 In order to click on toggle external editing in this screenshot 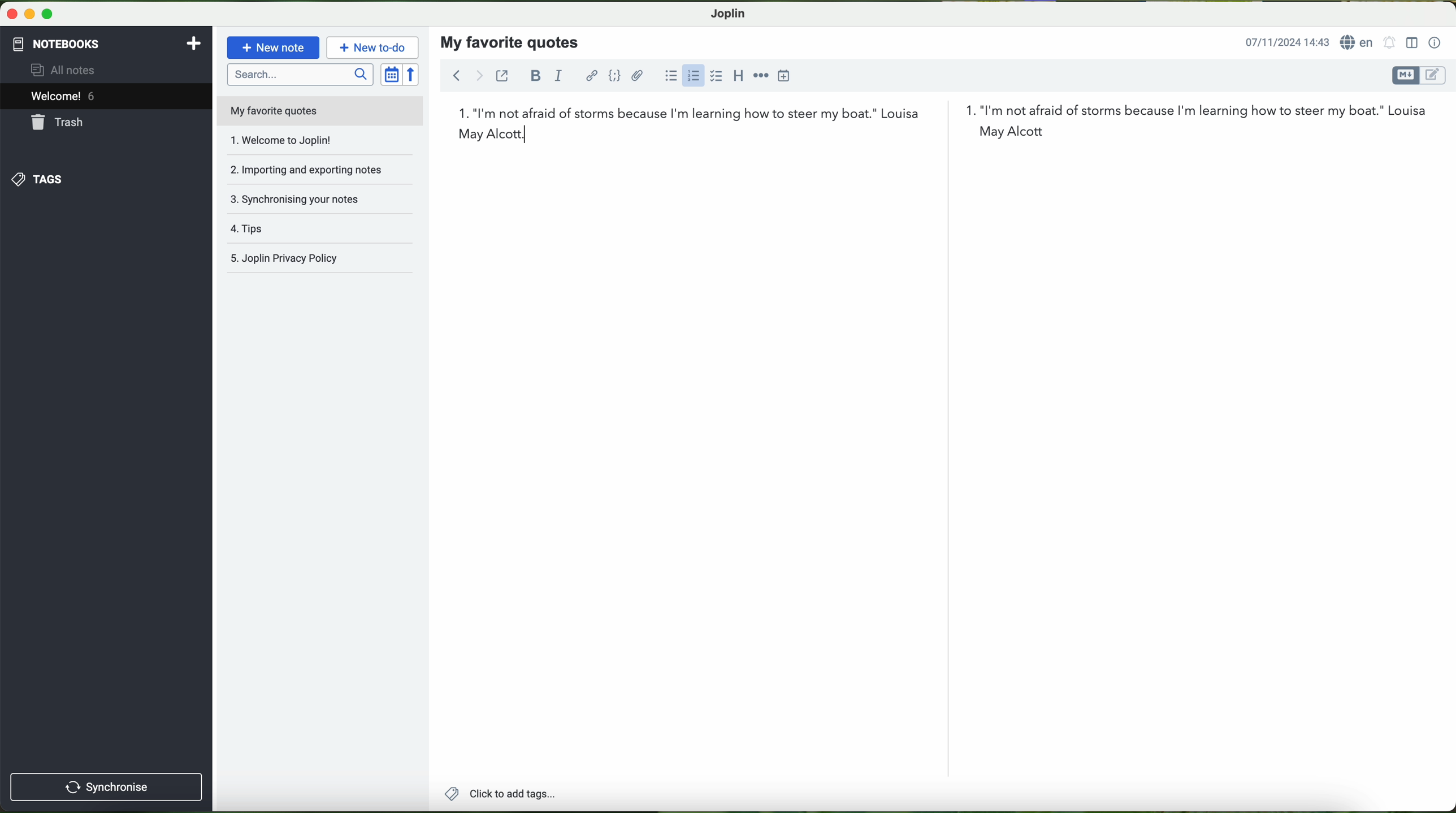, I will do `click(503, 76)`.